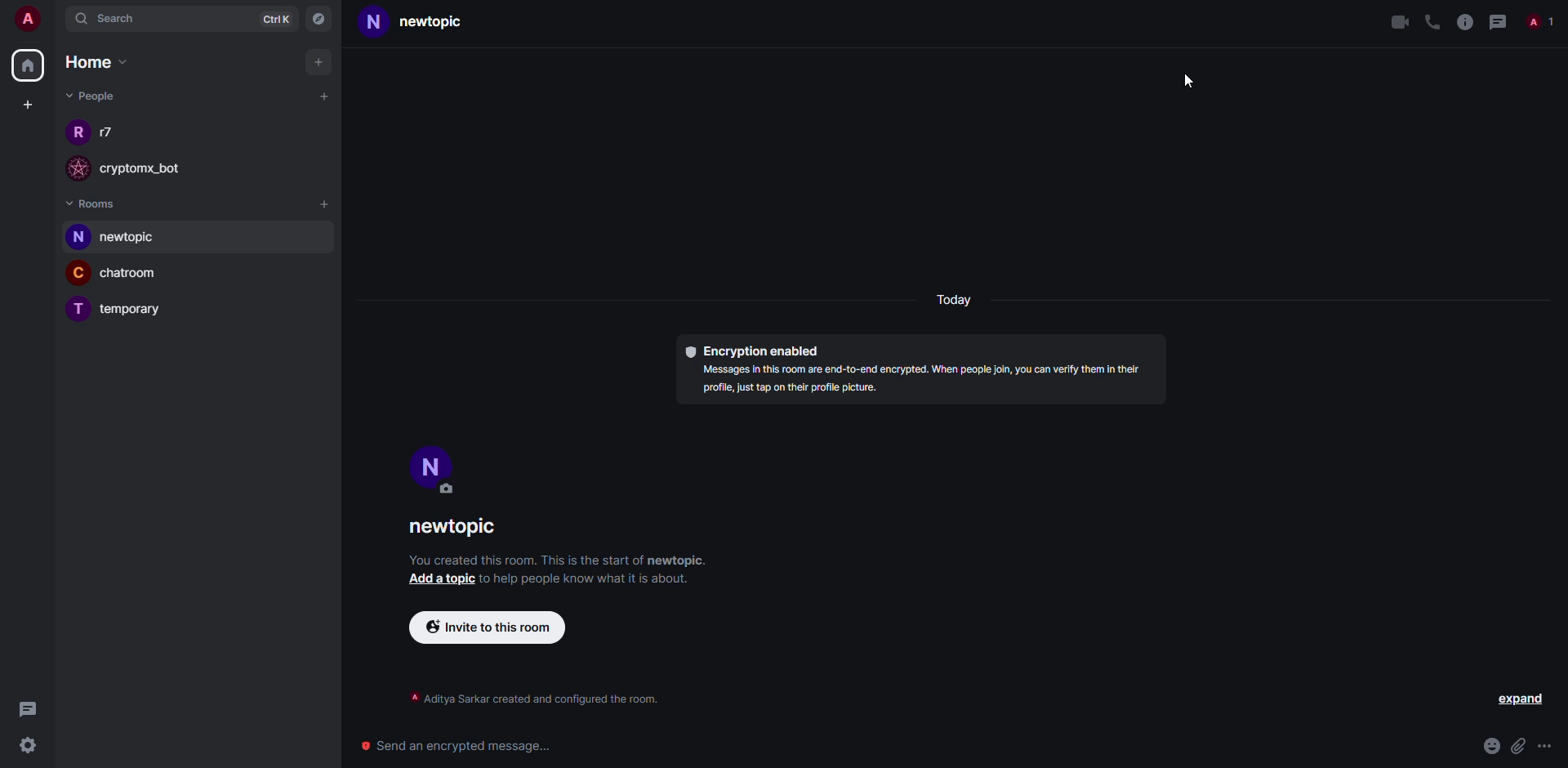 The image size is (1568, 768). What do you see at coordinates (76, 131) in the screenshot?
I see `profile image` at bounding box center [76, 131].